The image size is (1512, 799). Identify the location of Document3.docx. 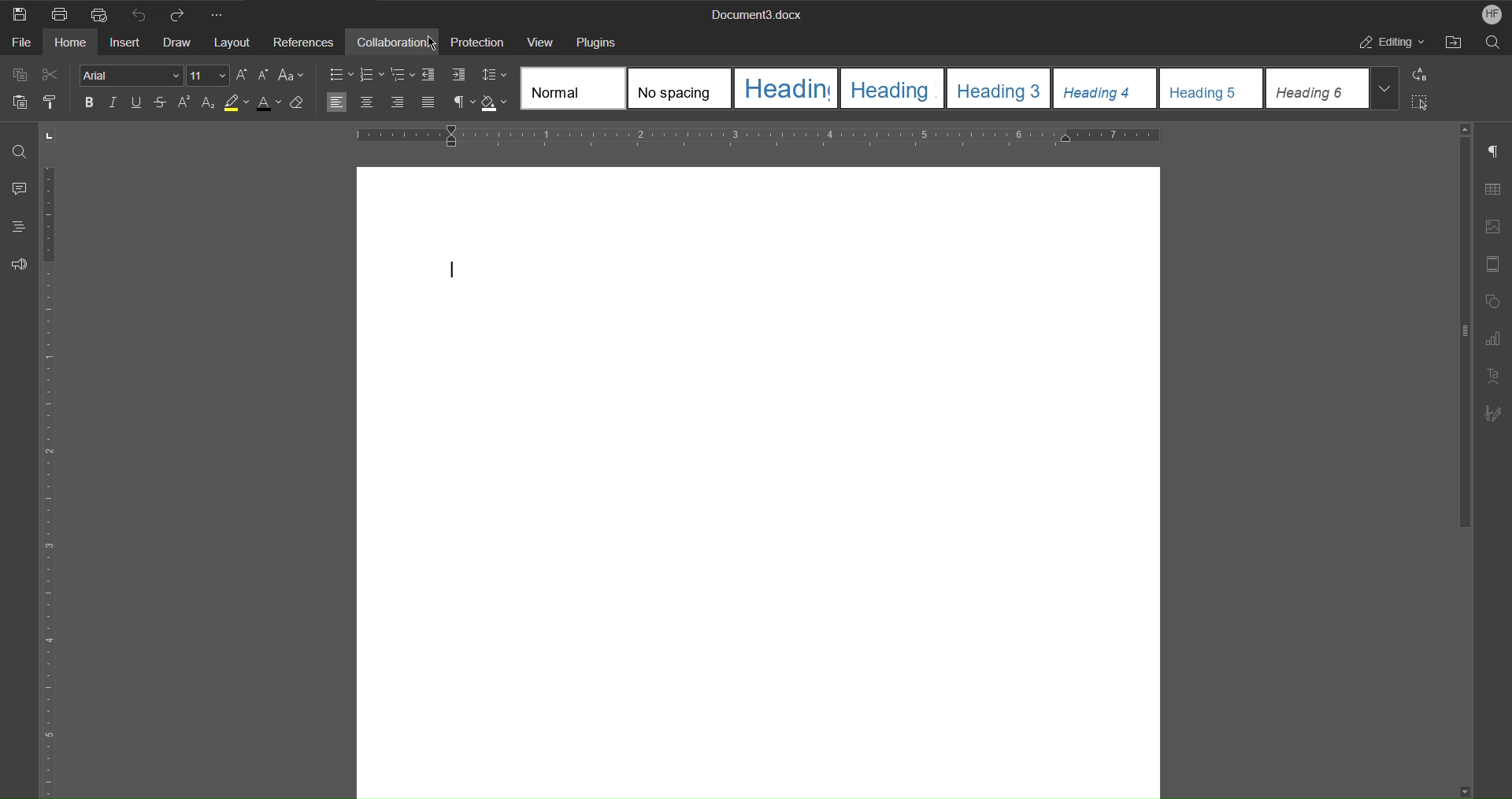
(759, 13).